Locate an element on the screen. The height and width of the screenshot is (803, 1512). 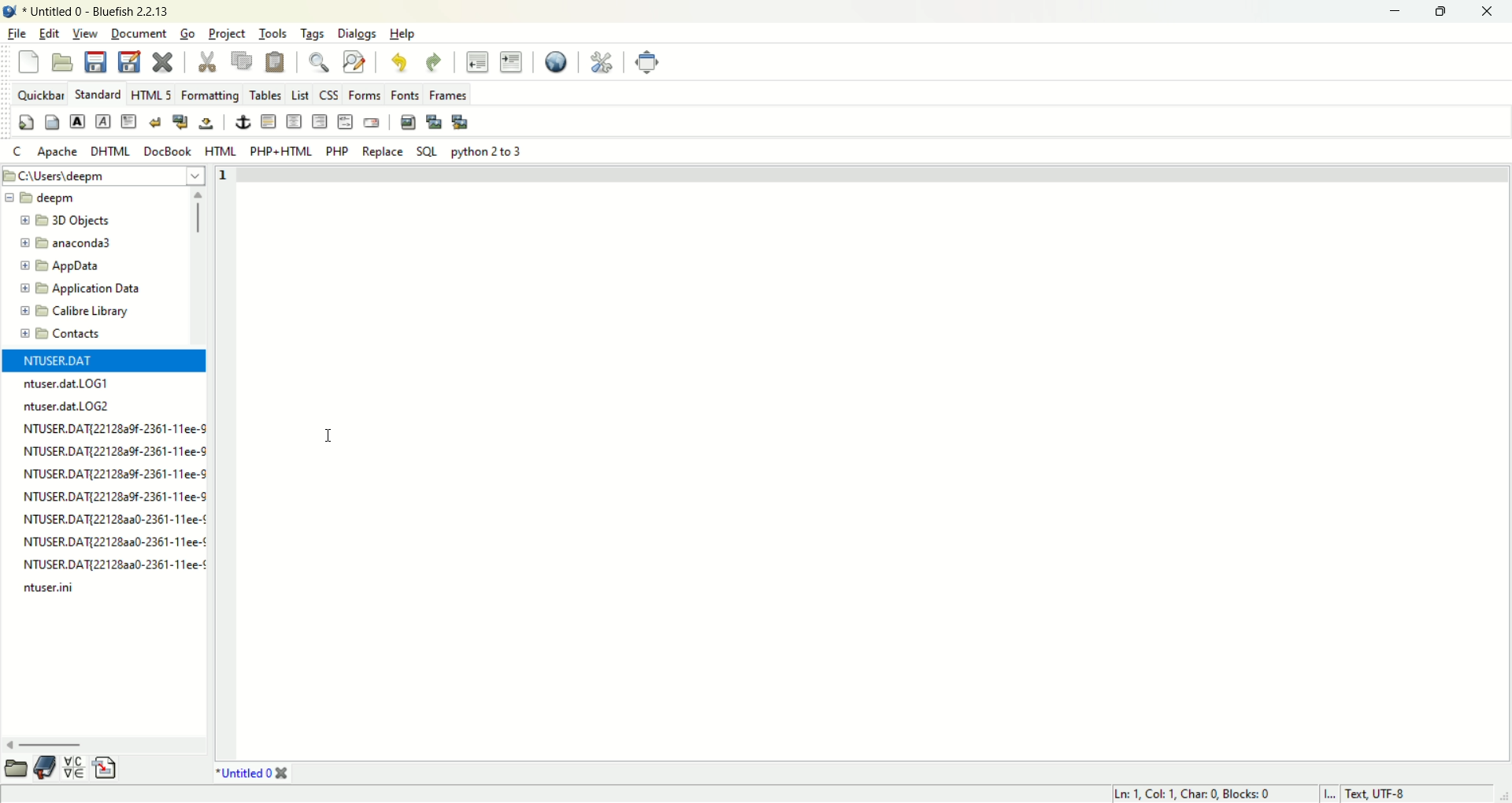
HTML comment is located at coordinates (344, 121).